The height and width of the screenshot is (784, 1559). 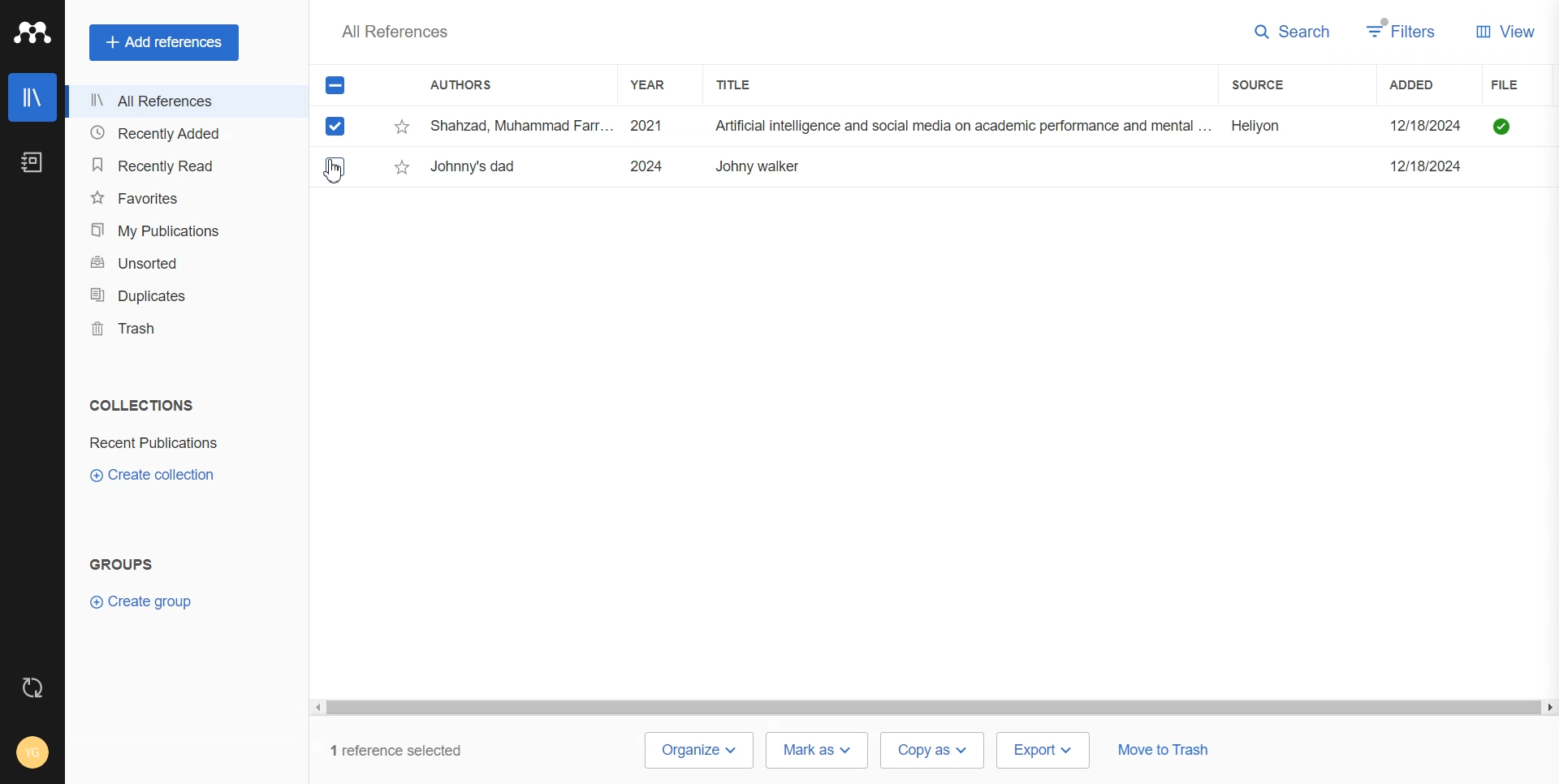 What do you see at coordinates (335, 84) in the screenshot?
I see `All Marks` at bounding box center [335, 84].